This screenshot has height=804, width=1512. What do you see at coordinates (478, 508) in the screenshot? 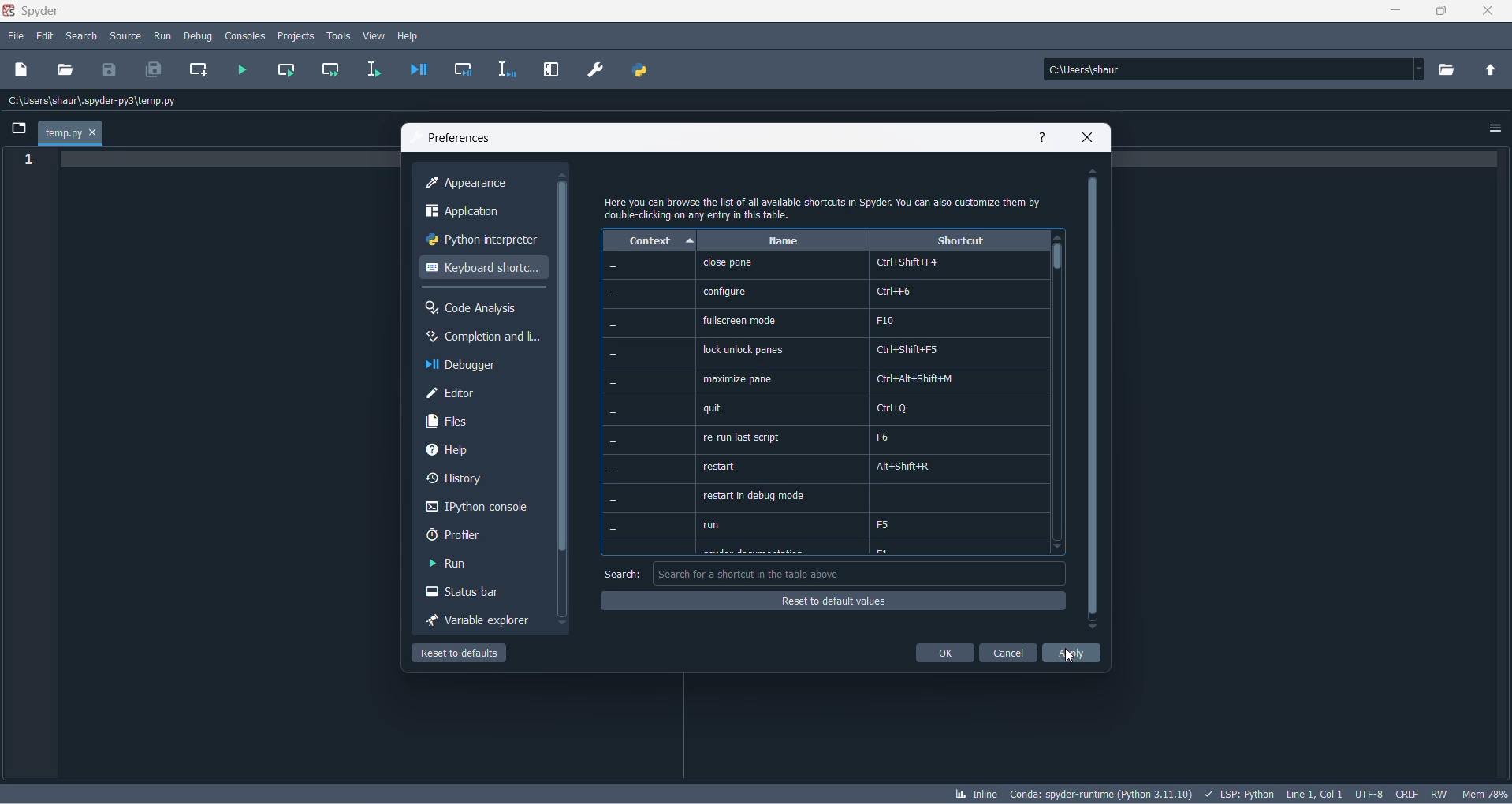
I see `ipython console` at bounding box center [478, 508].